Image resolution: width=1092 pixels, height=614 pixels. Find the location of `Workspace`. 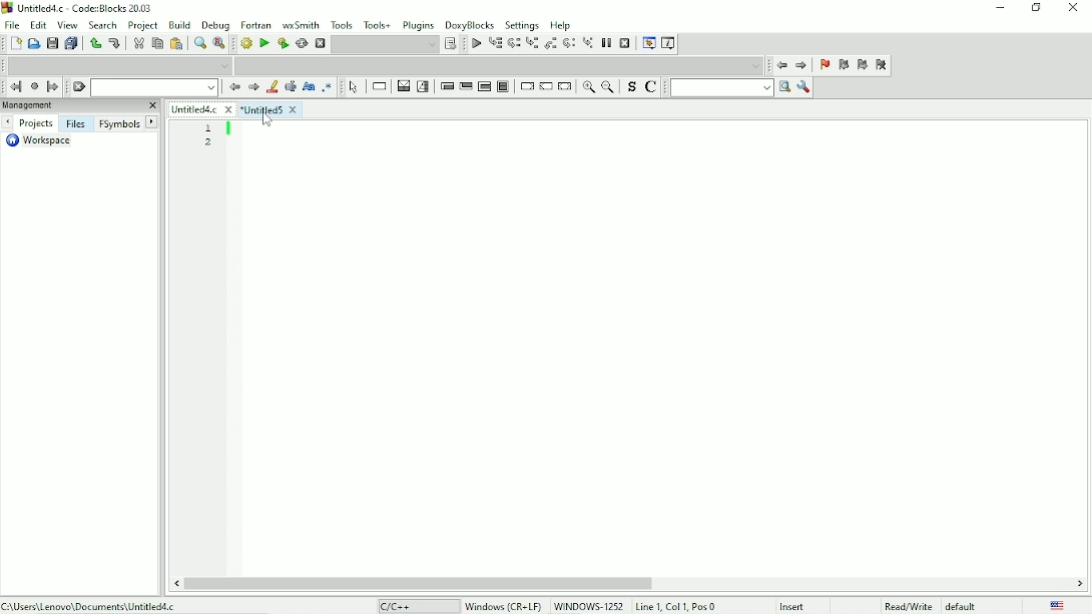

Workspace is located at coordinates (46, 142).